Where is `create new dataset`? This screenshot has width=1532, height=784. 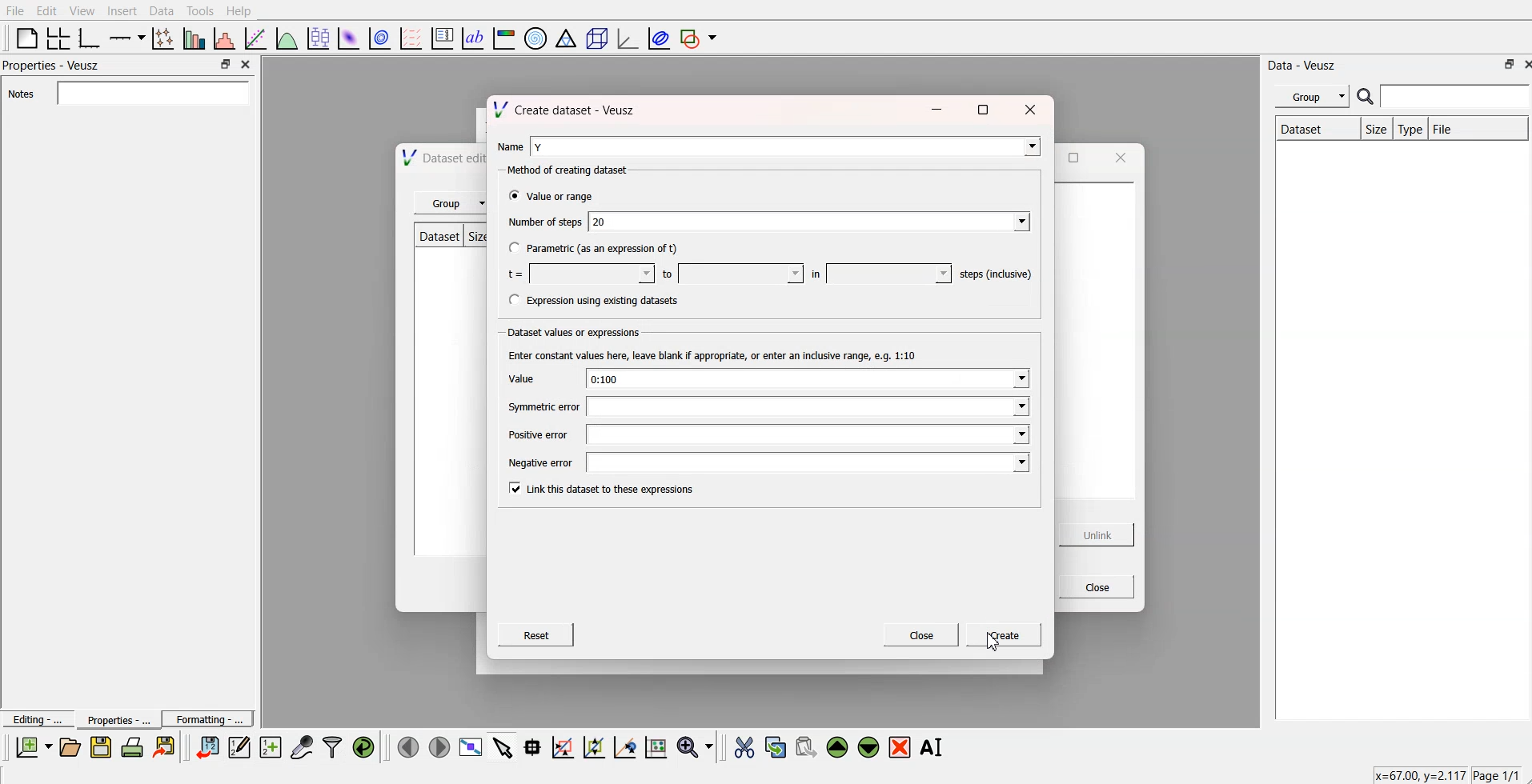
create new dataset is located at coordinates (270, 745).